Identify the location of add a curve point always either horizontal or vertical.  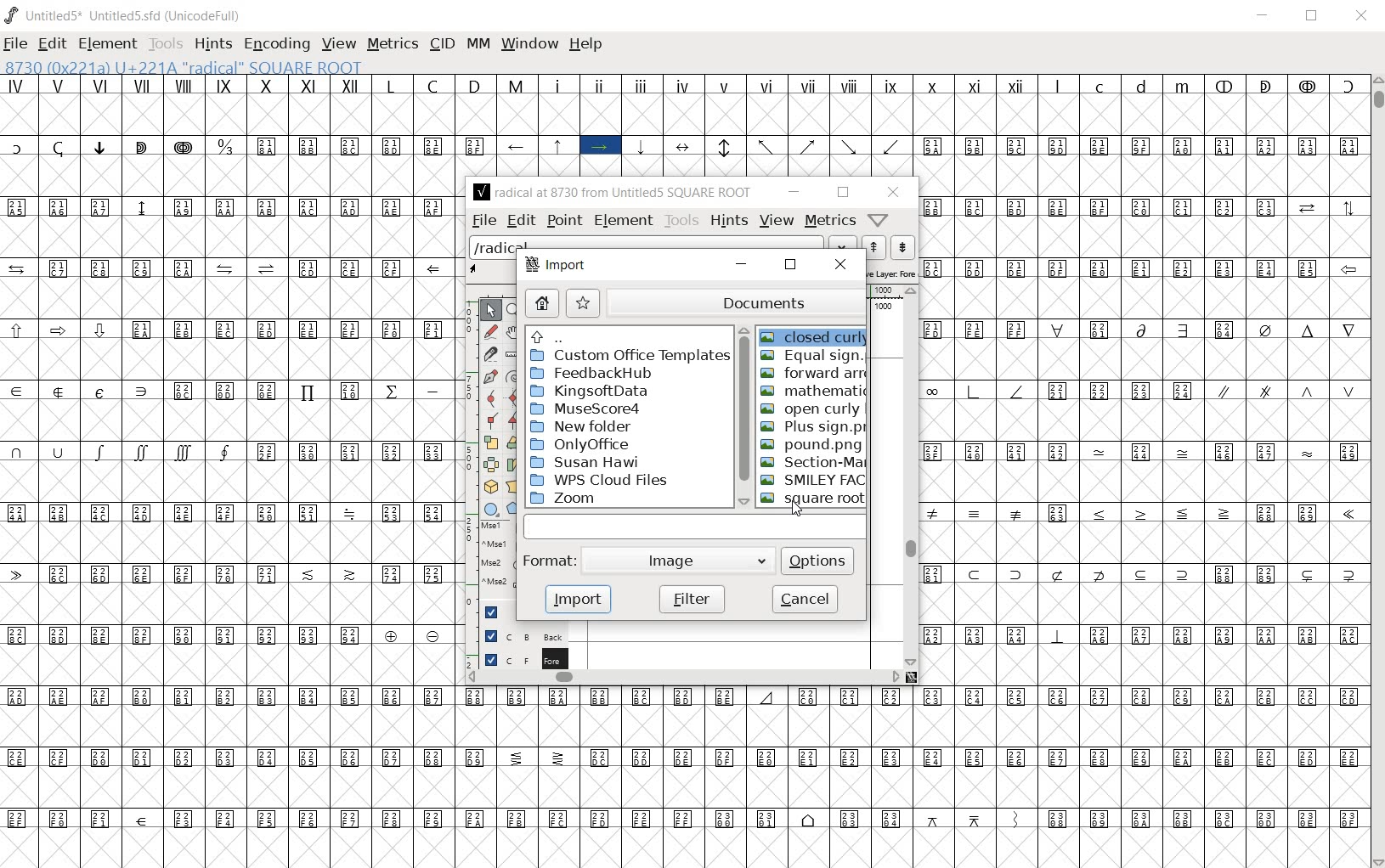
(491, 397).